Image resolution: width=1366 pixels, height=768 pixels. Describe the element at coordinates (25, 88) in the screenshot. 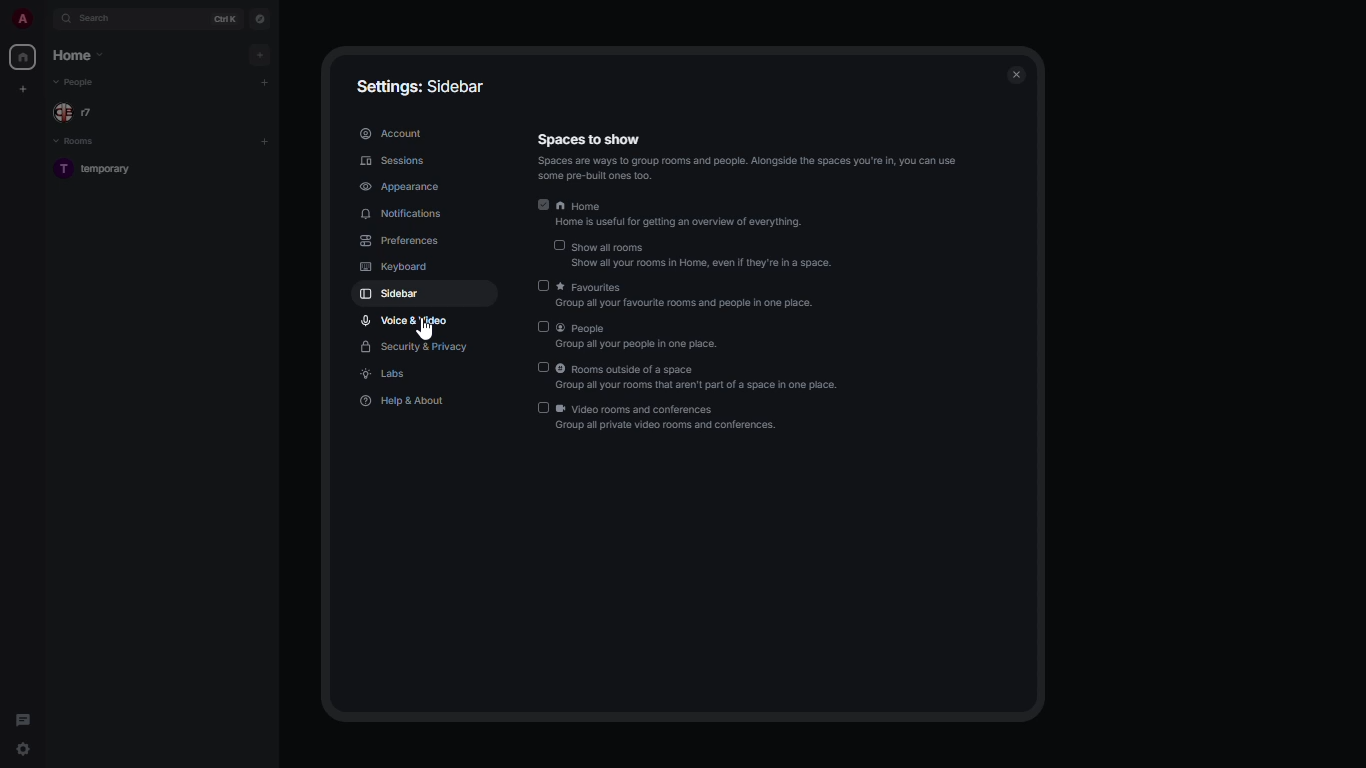

I see `create new space` at that location.